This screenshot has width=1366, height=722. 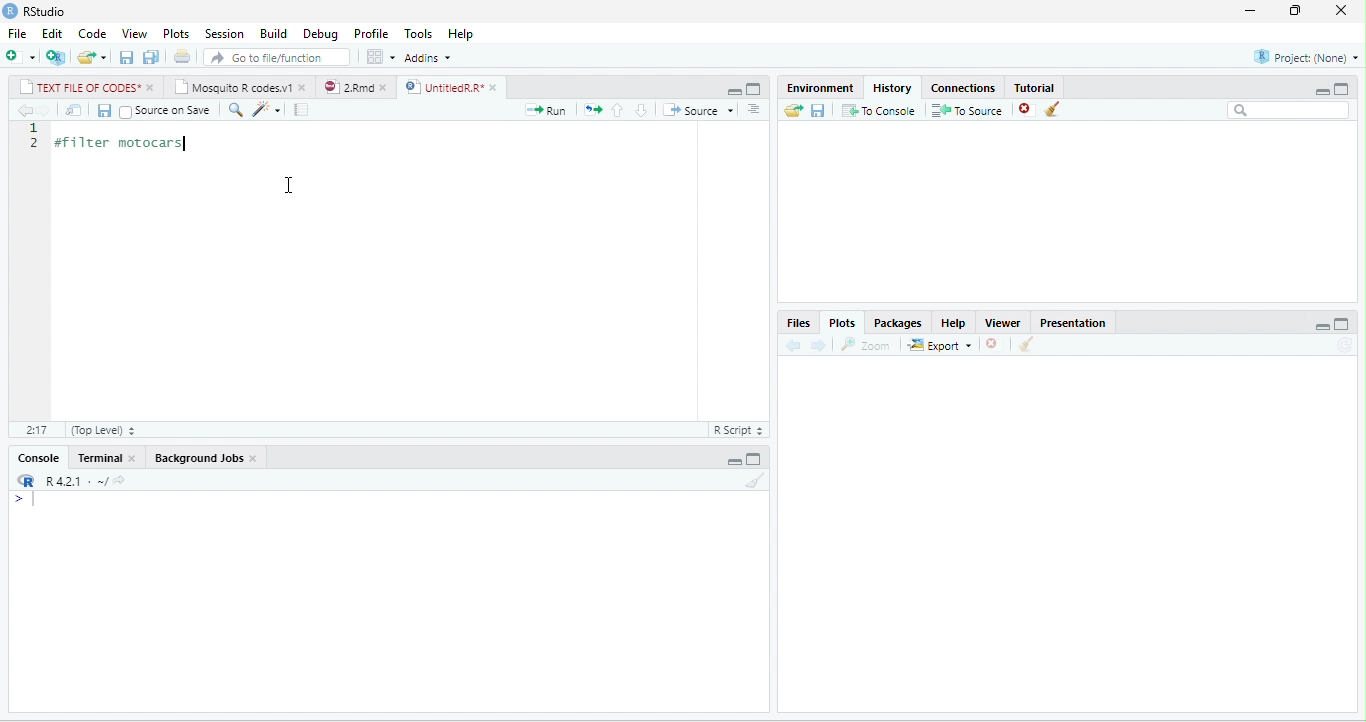 What do you see at coordinates (892, 88) in the screenshot?
I see `History` at bounding box center [892, 88].